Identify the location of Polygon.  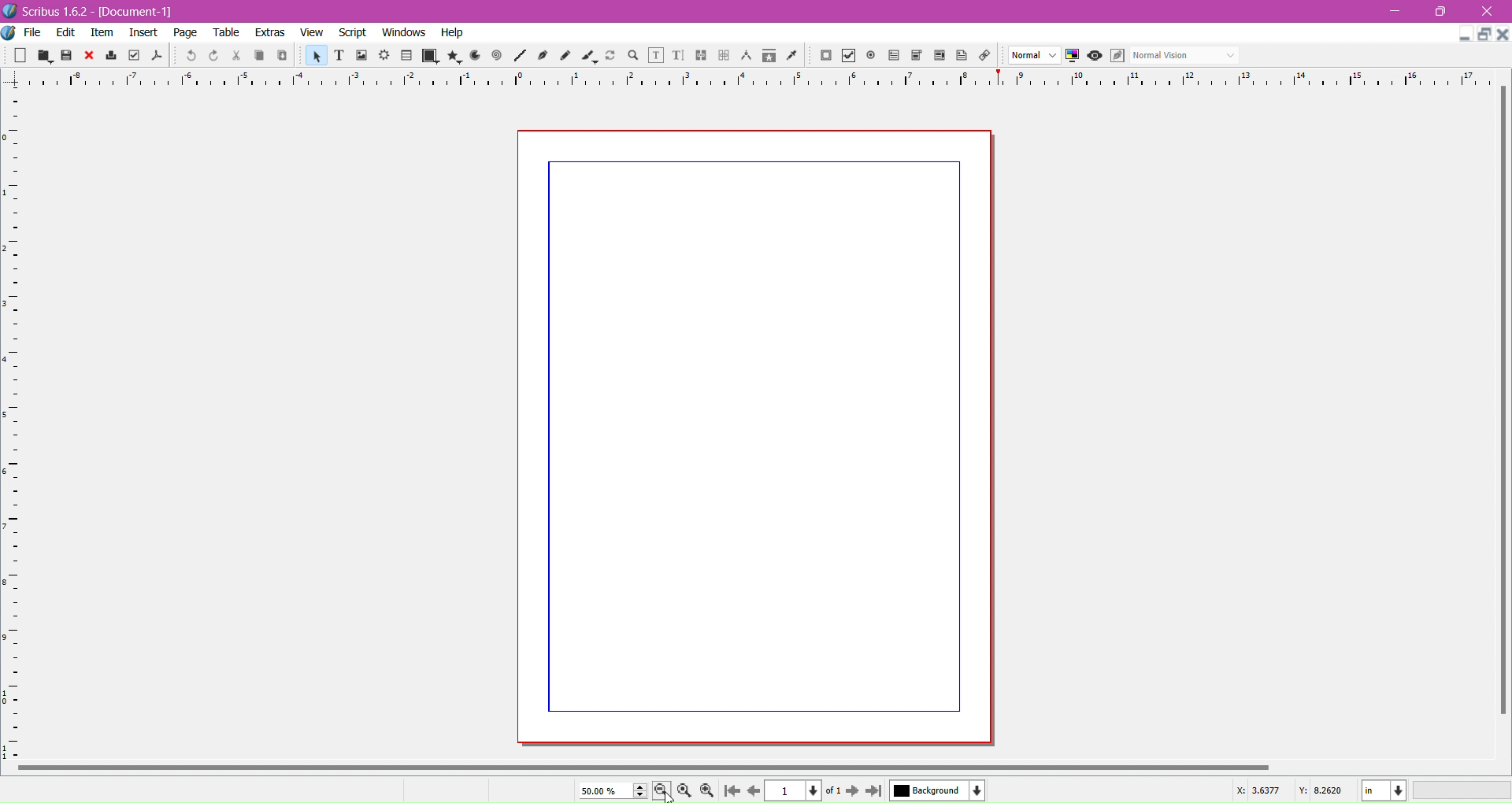
(454, 56).